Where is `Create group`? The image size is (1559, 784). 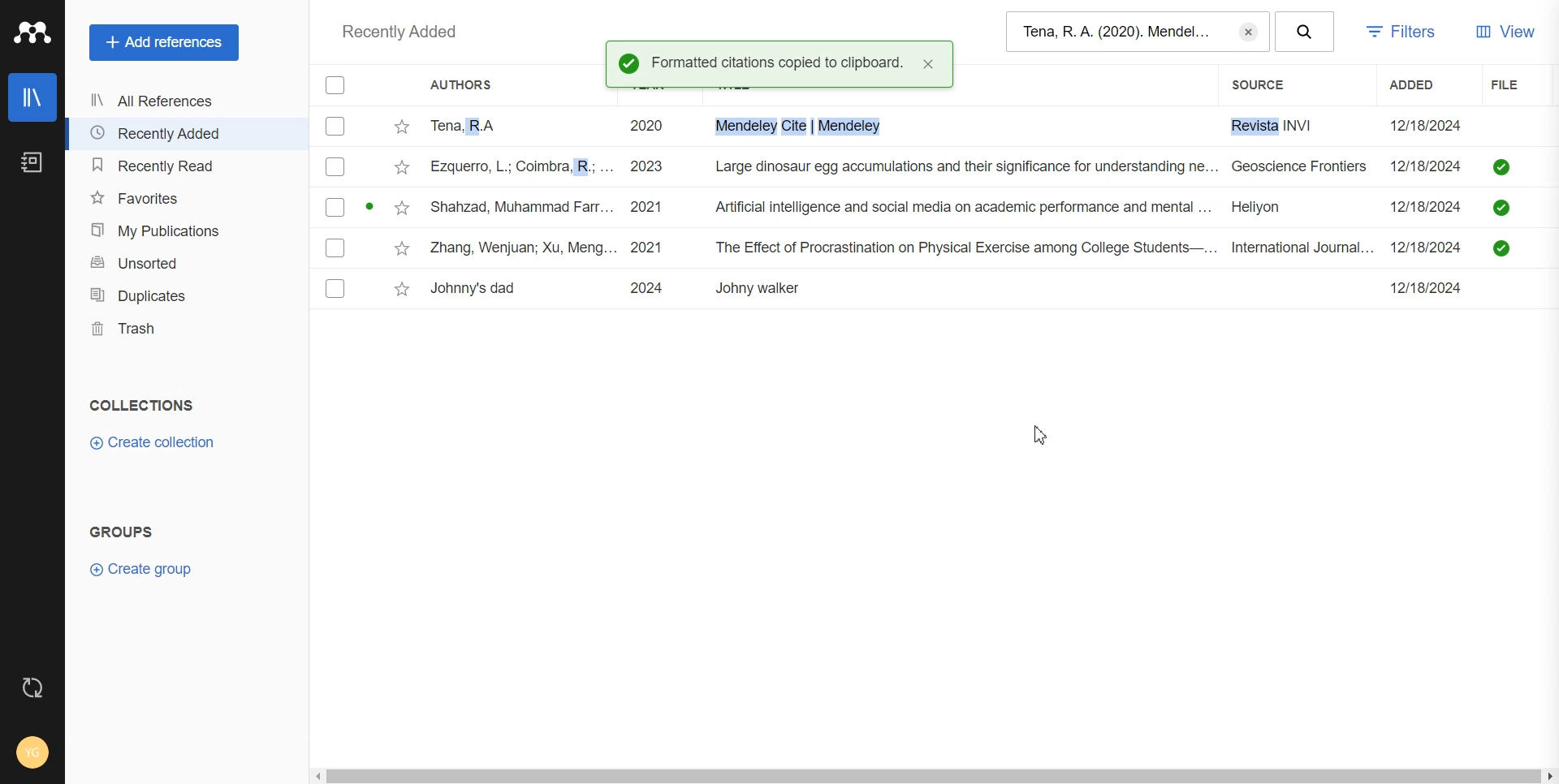 Create group is located at coordinates (140, 569).